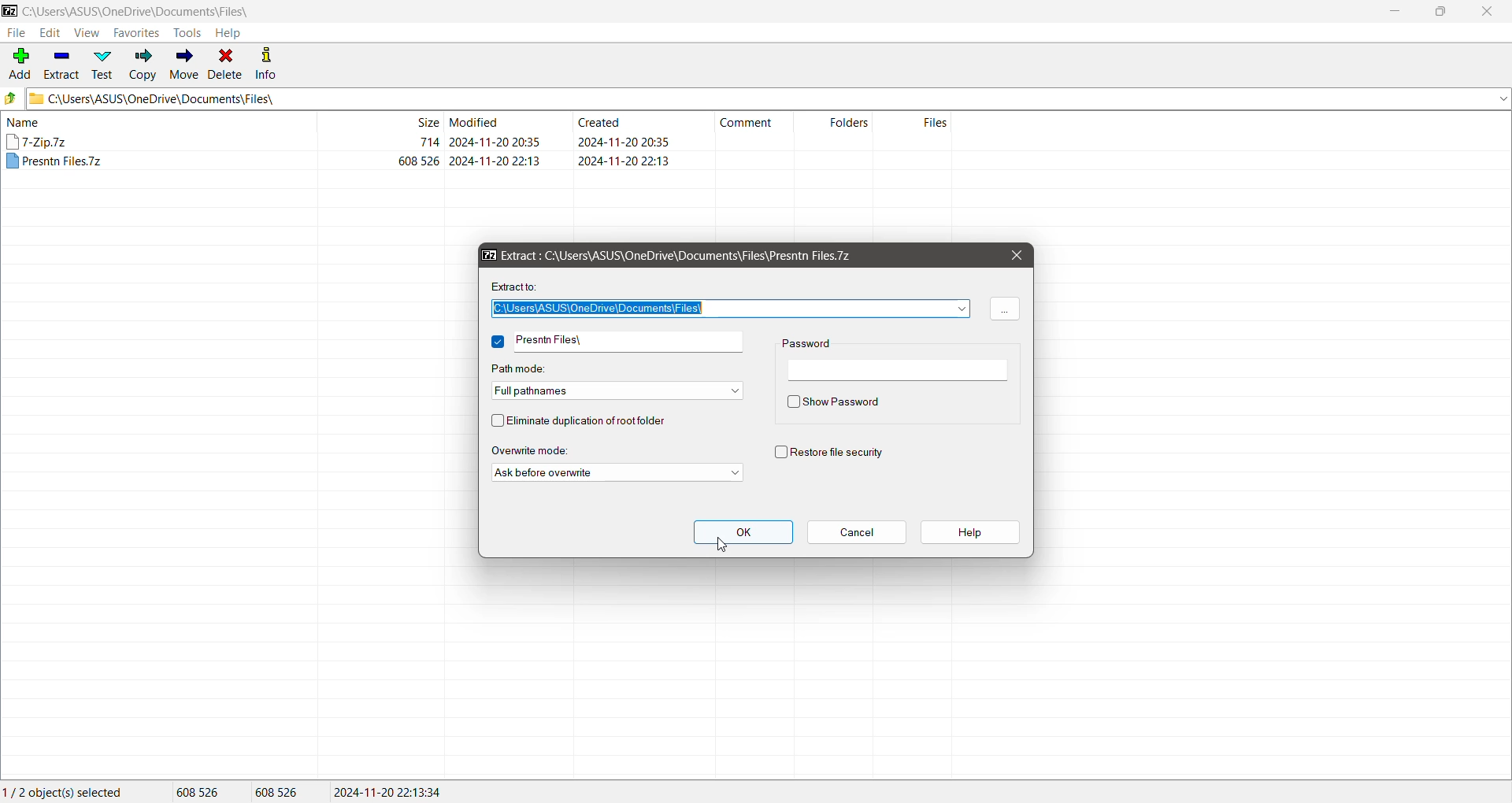 This screenshot has height=803, width=1512. Describe the element at coordinates (389, 792) in the screenshot. I see `Modified Date of the selected file` at that location.